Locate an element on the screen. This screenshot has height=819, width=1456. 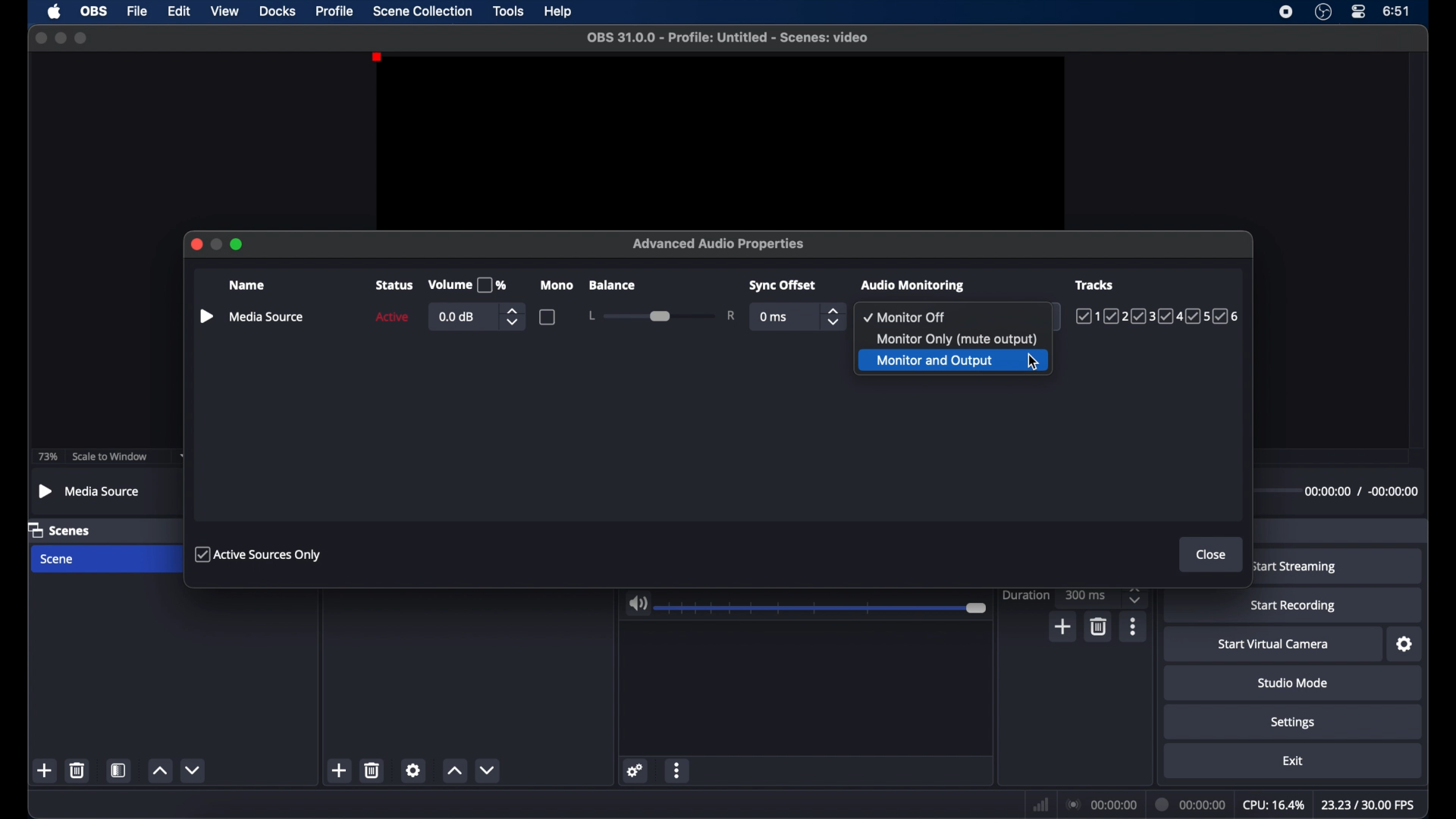
audio monitoring  is located at coordinates (913, 286).